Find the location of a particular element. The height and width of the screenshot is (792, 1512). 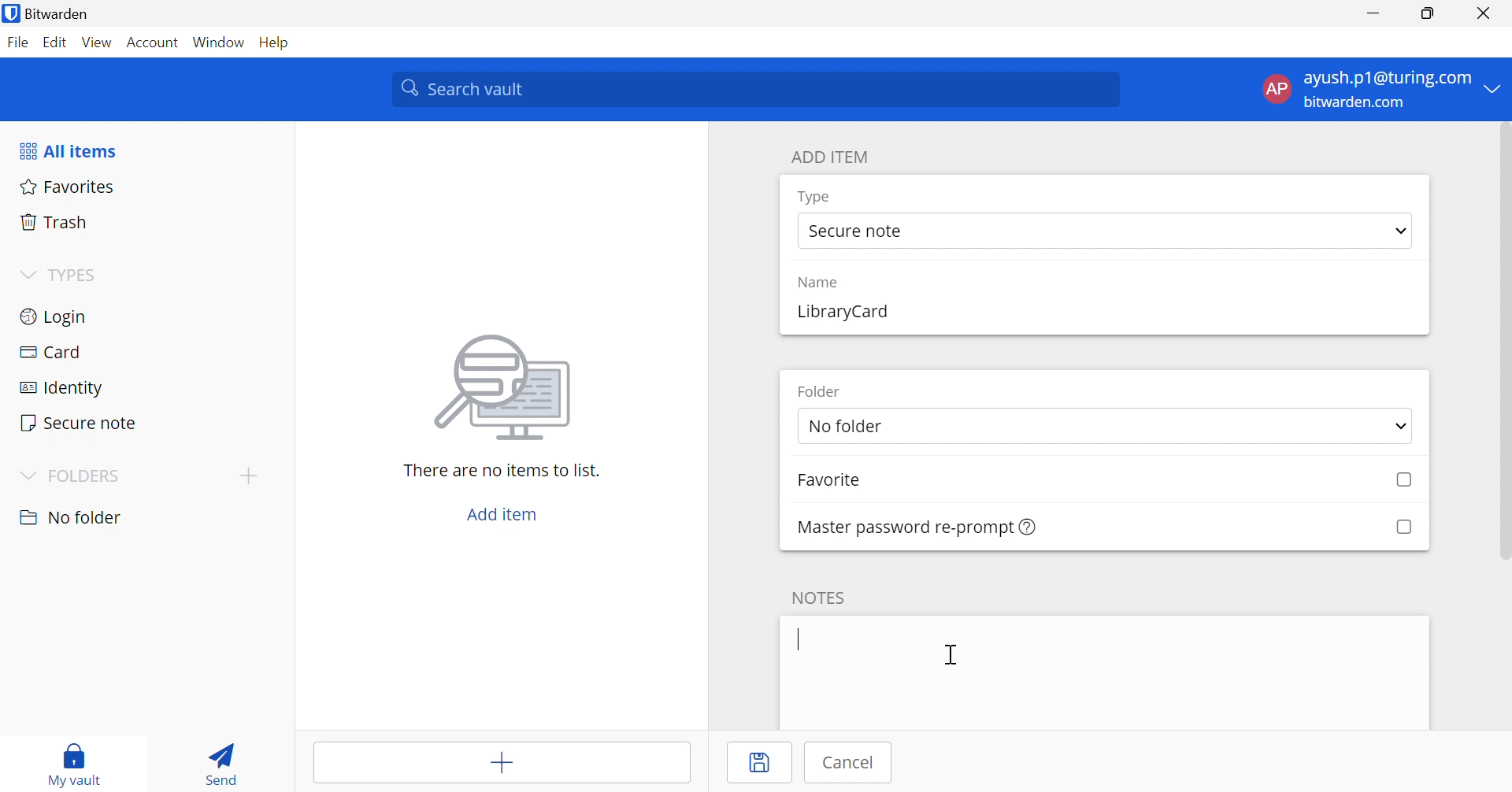

NOTES is located at coordinates (819, 597).